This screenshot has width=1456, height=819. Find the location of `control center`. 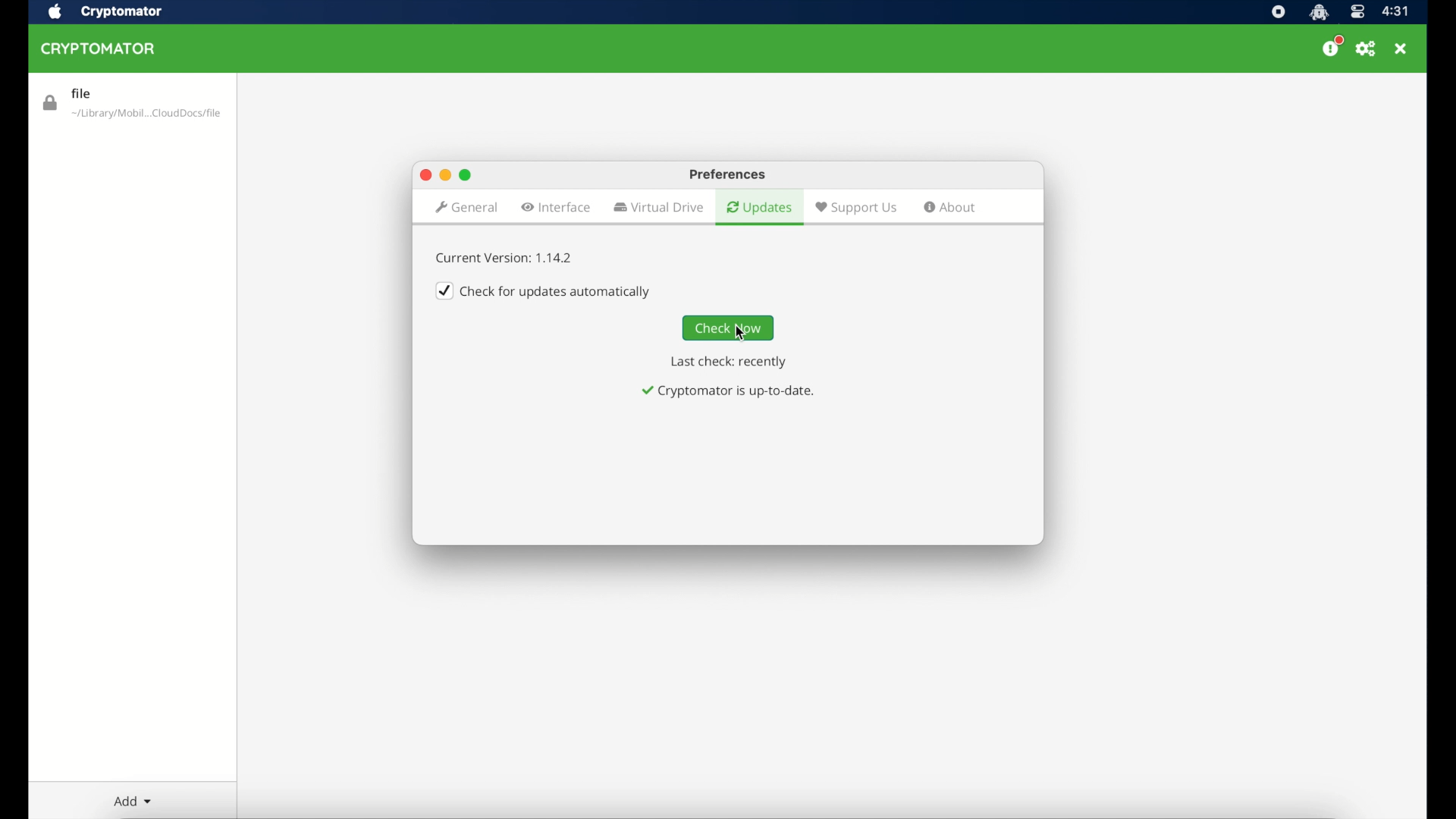

control center is located at coordinates (1357, 11).